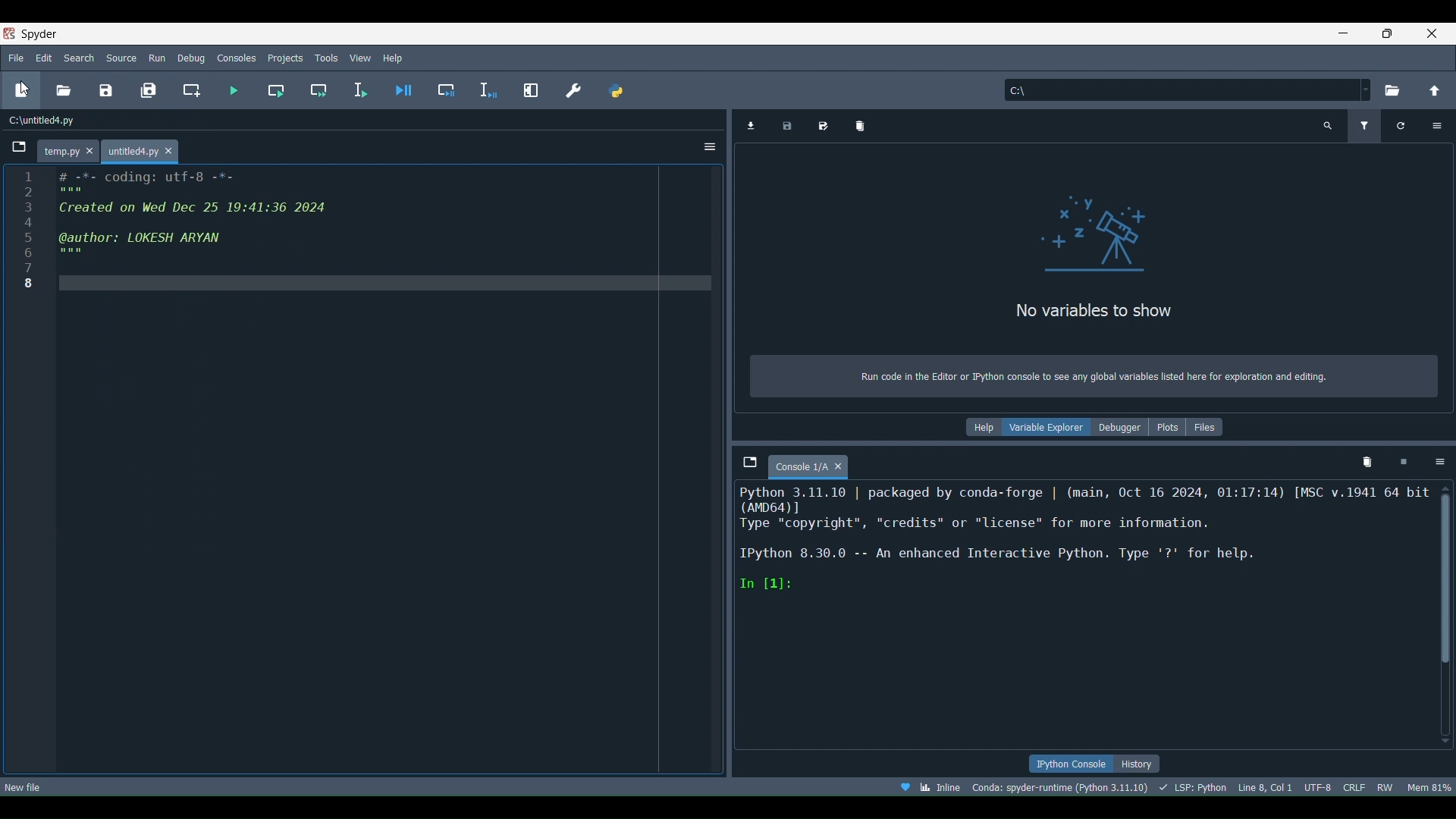 The height and width of the screenshot is (819, 1456). Describe the element at coordinates (47, 121) in the screenshot. I see `File location` at that location.